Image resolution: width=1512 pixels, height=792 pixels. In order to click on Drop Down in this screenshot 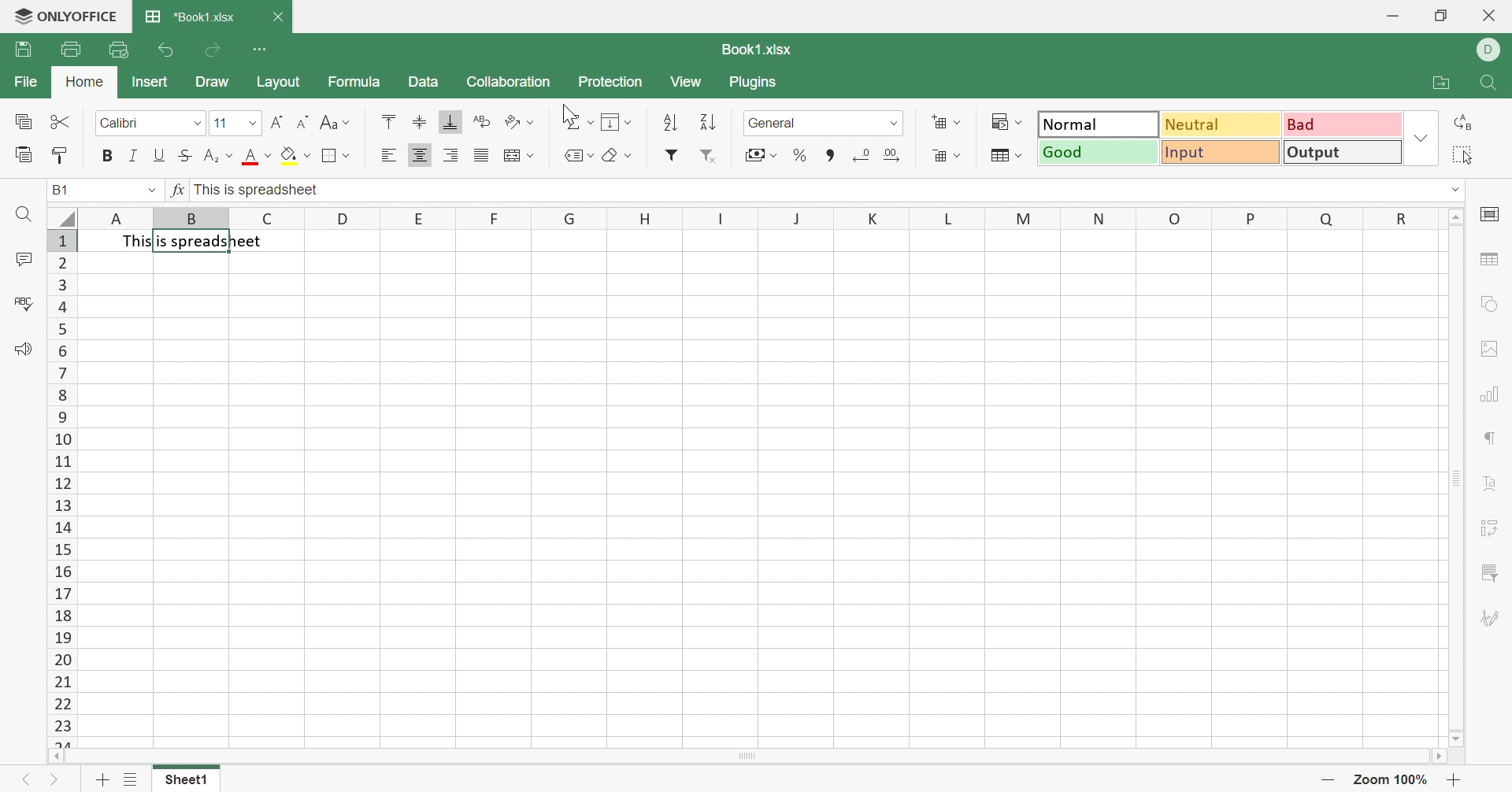, I will do `click(532, 123)`.